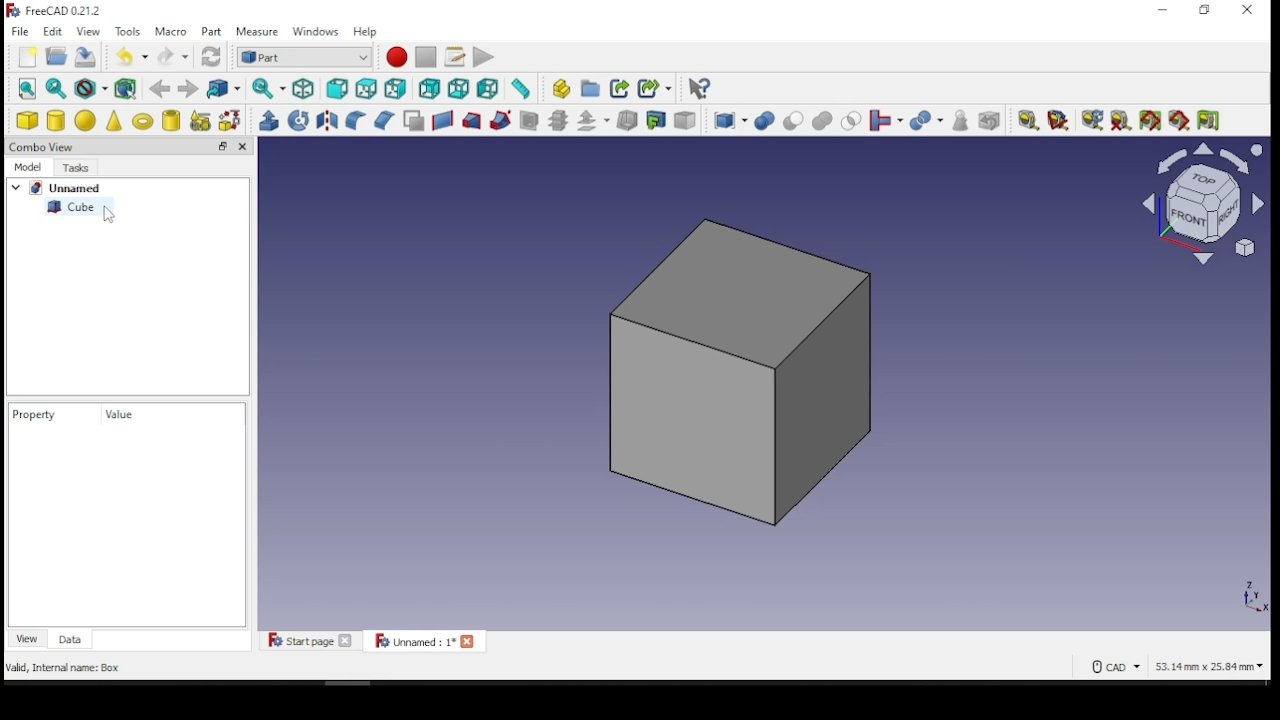 The height and width of the screenshot is (720, 1280). I want to click on part, so click(214, 31).